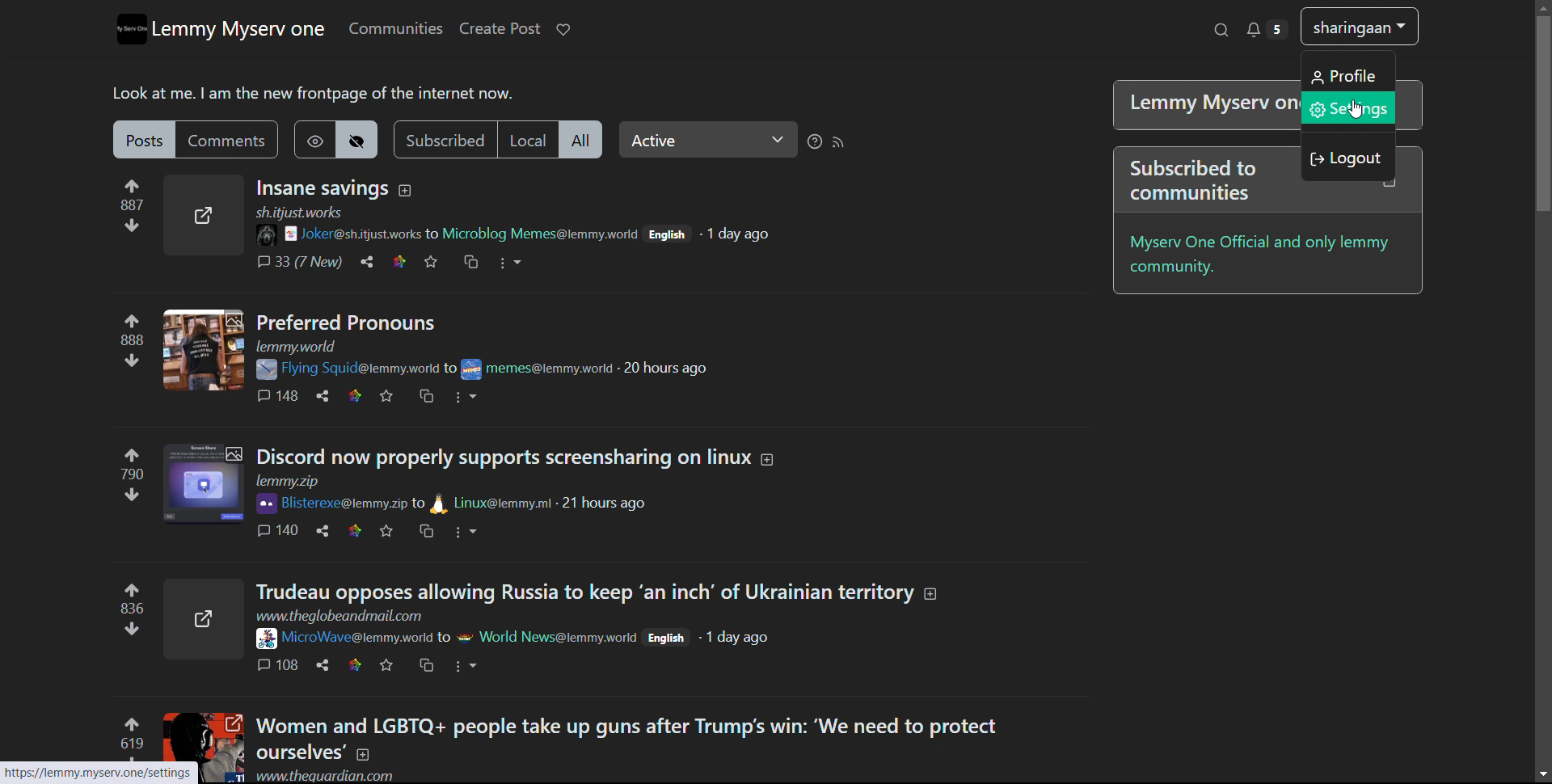 Image resolution: width=1552 pixels, height=784 pixels. Describe the element at coordinates (483, 504) in the screenshot. I see `to Linux@lemmy.ml` at that location.